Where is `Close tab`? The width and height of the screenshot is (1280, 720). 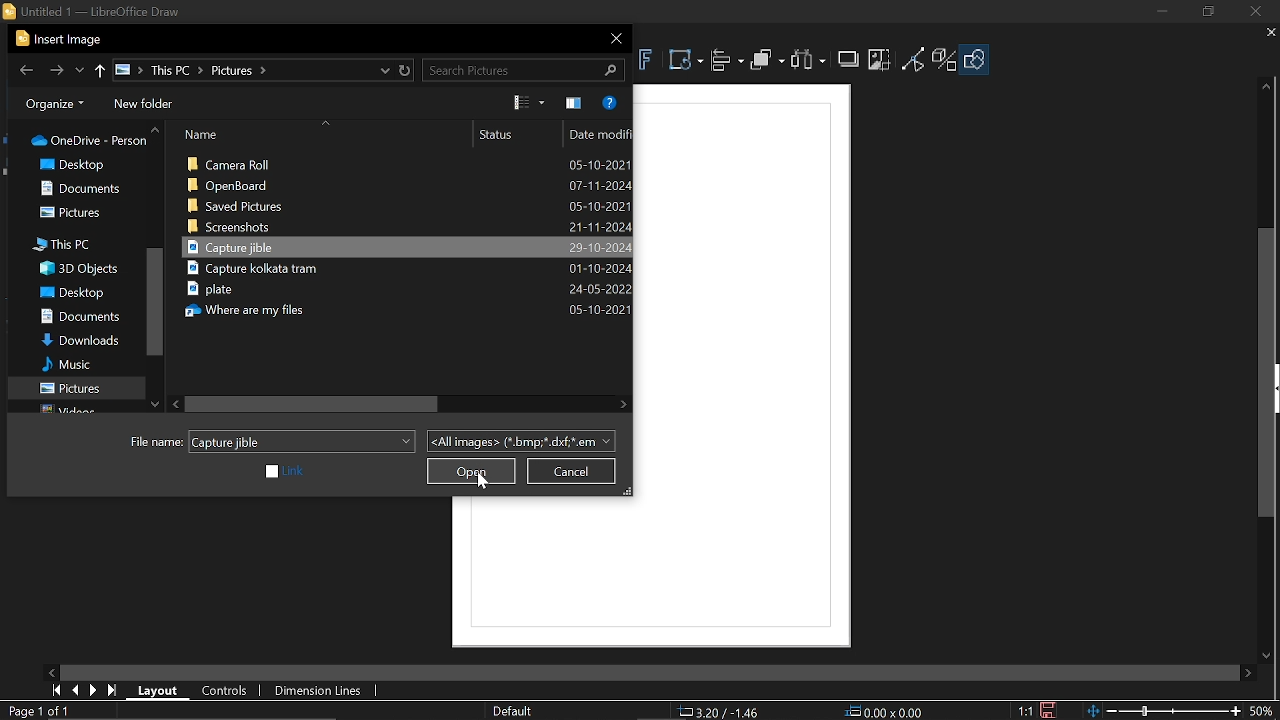
Close tab is located at coordinates (1264, 34).